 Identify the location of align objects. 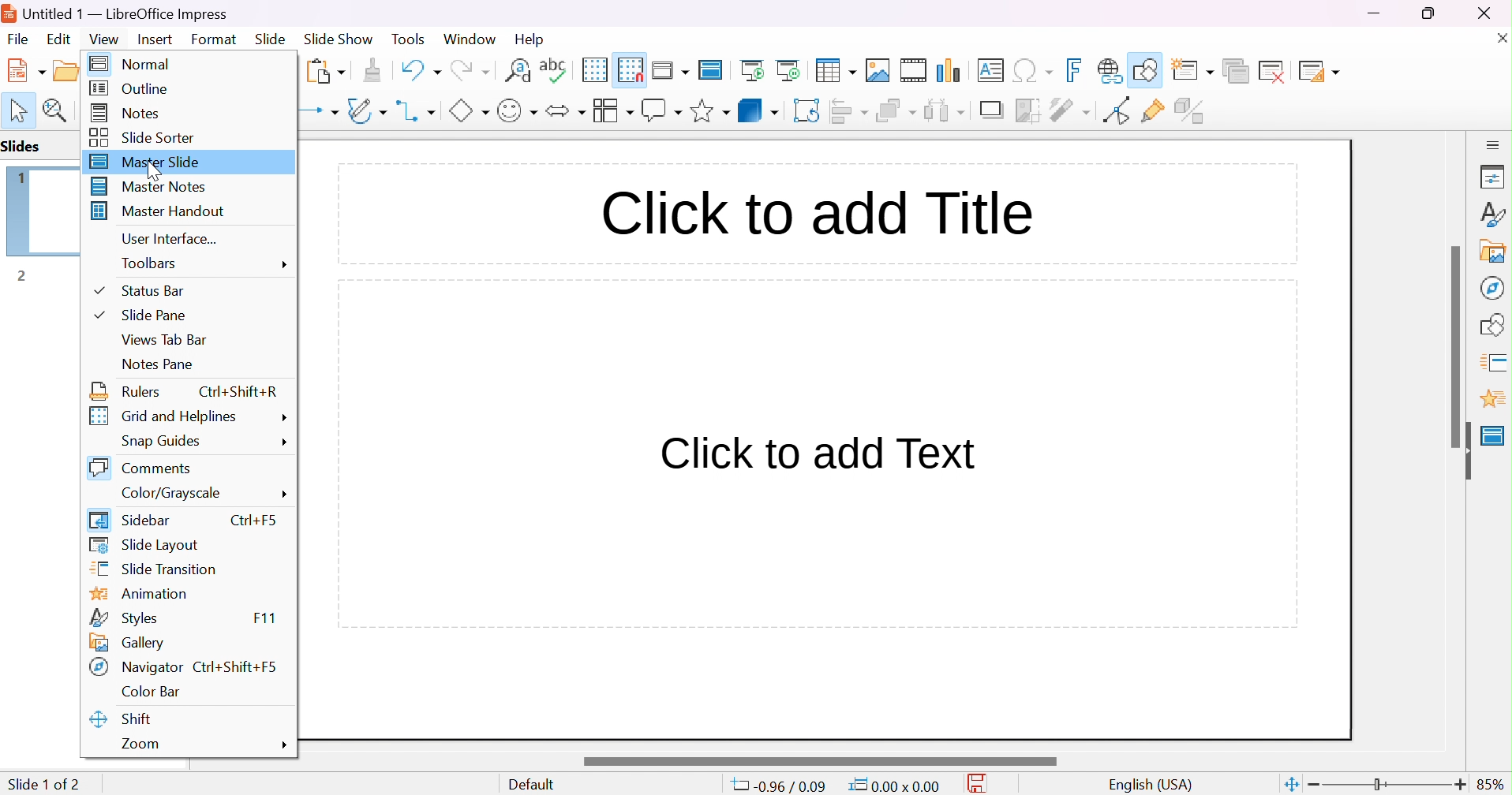
(851, 110).